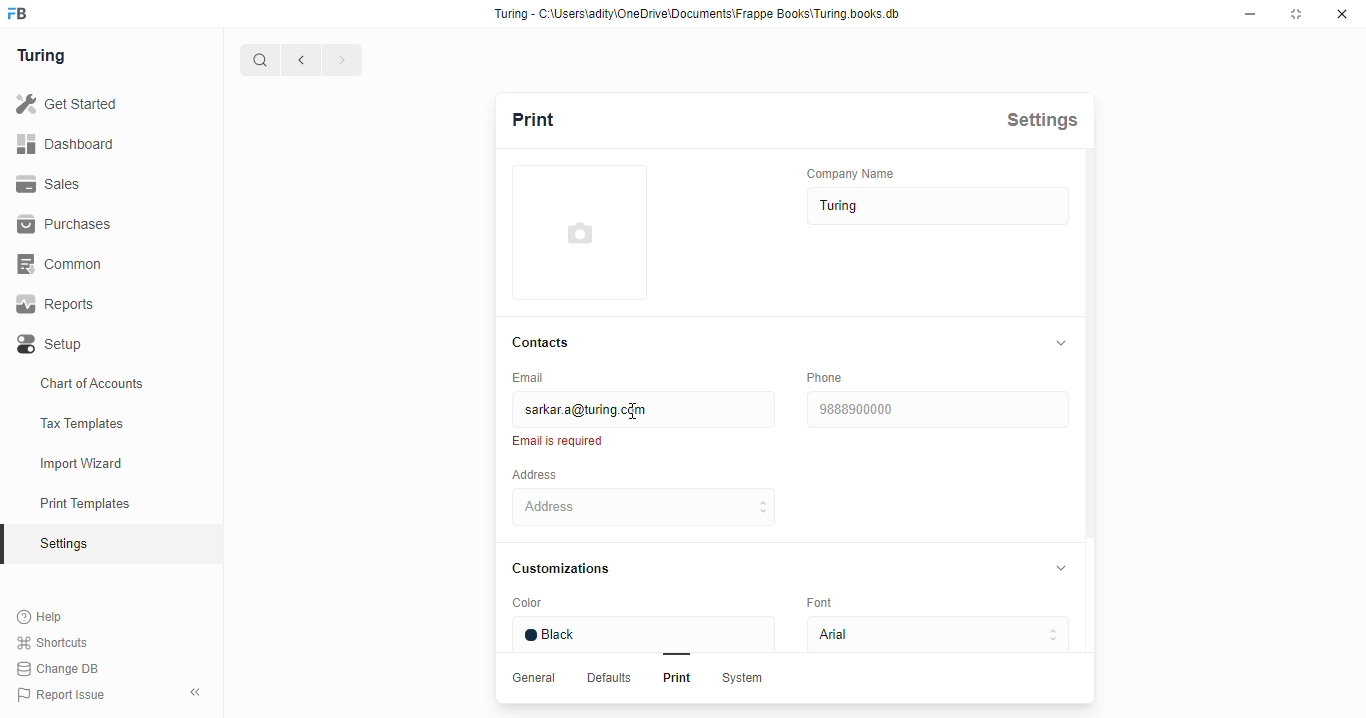  What do you see at coordinates (197, 689) in the screenshot?
I see `collapse` at bounding box center [197, 689].